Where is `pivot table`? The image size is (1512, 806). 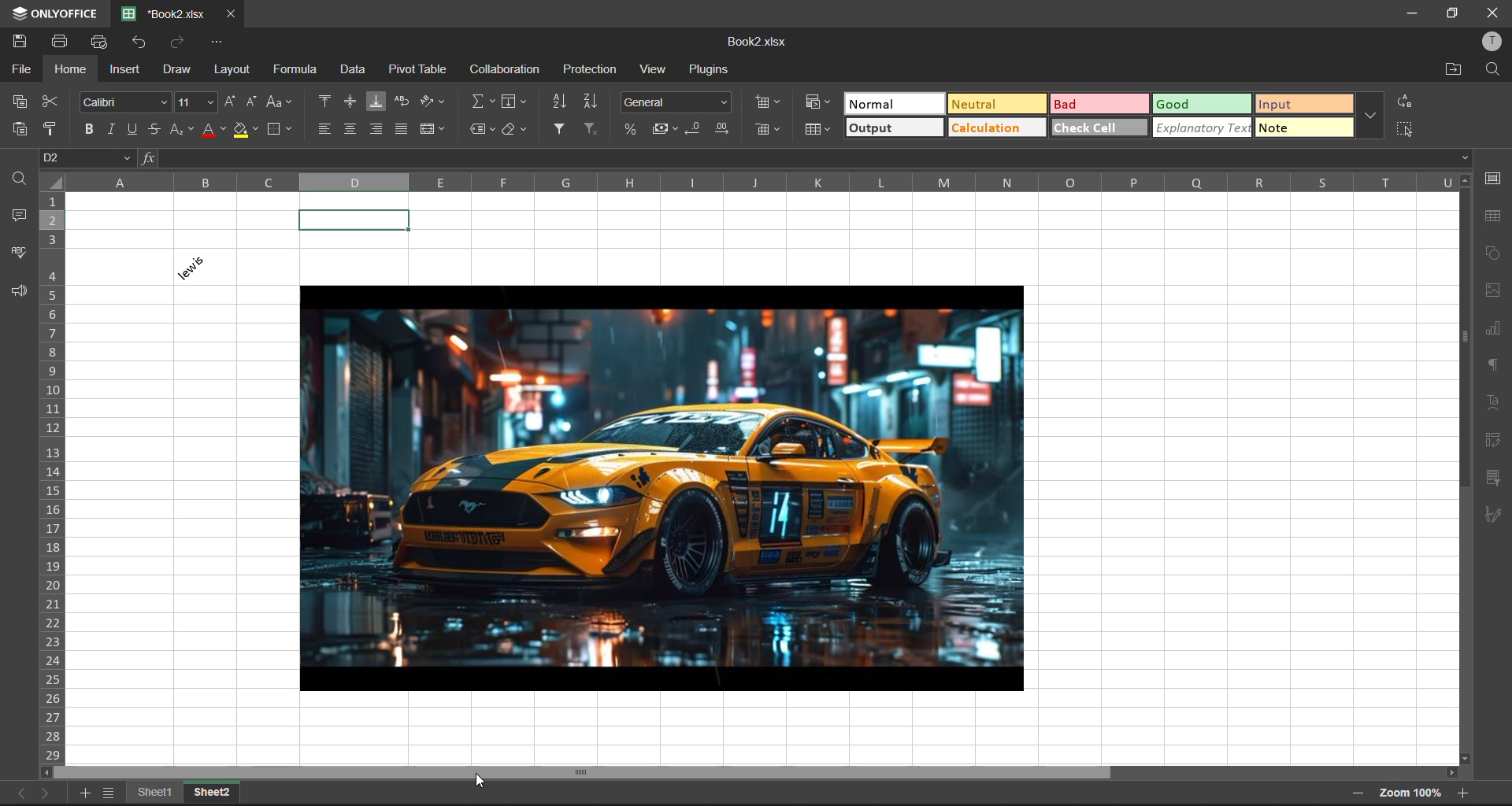 pivot table is located at coordinates (421, 68).